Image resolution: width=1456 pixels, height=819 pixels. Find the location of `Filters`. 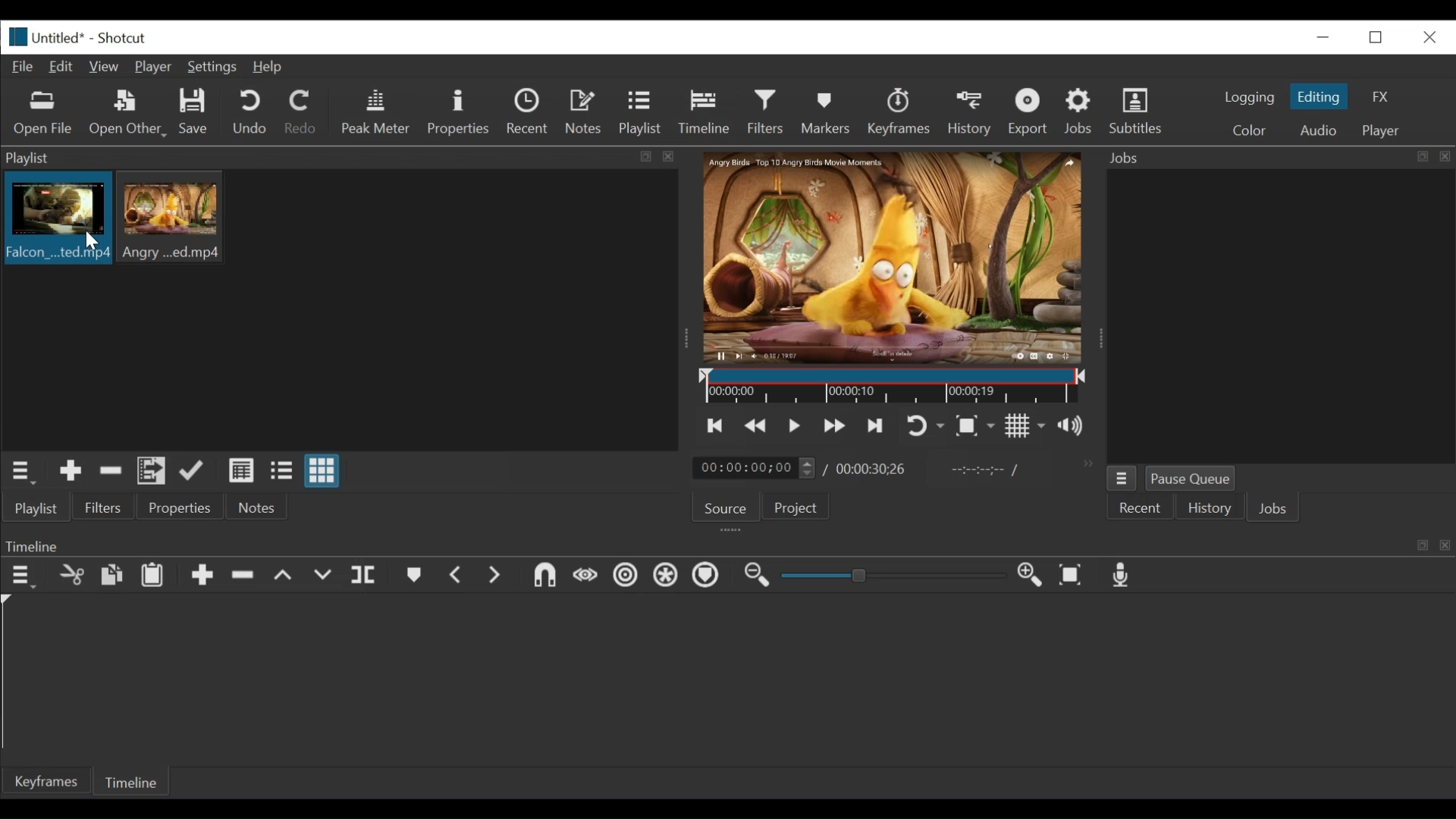

Filters is located at coordinates (104, 508).